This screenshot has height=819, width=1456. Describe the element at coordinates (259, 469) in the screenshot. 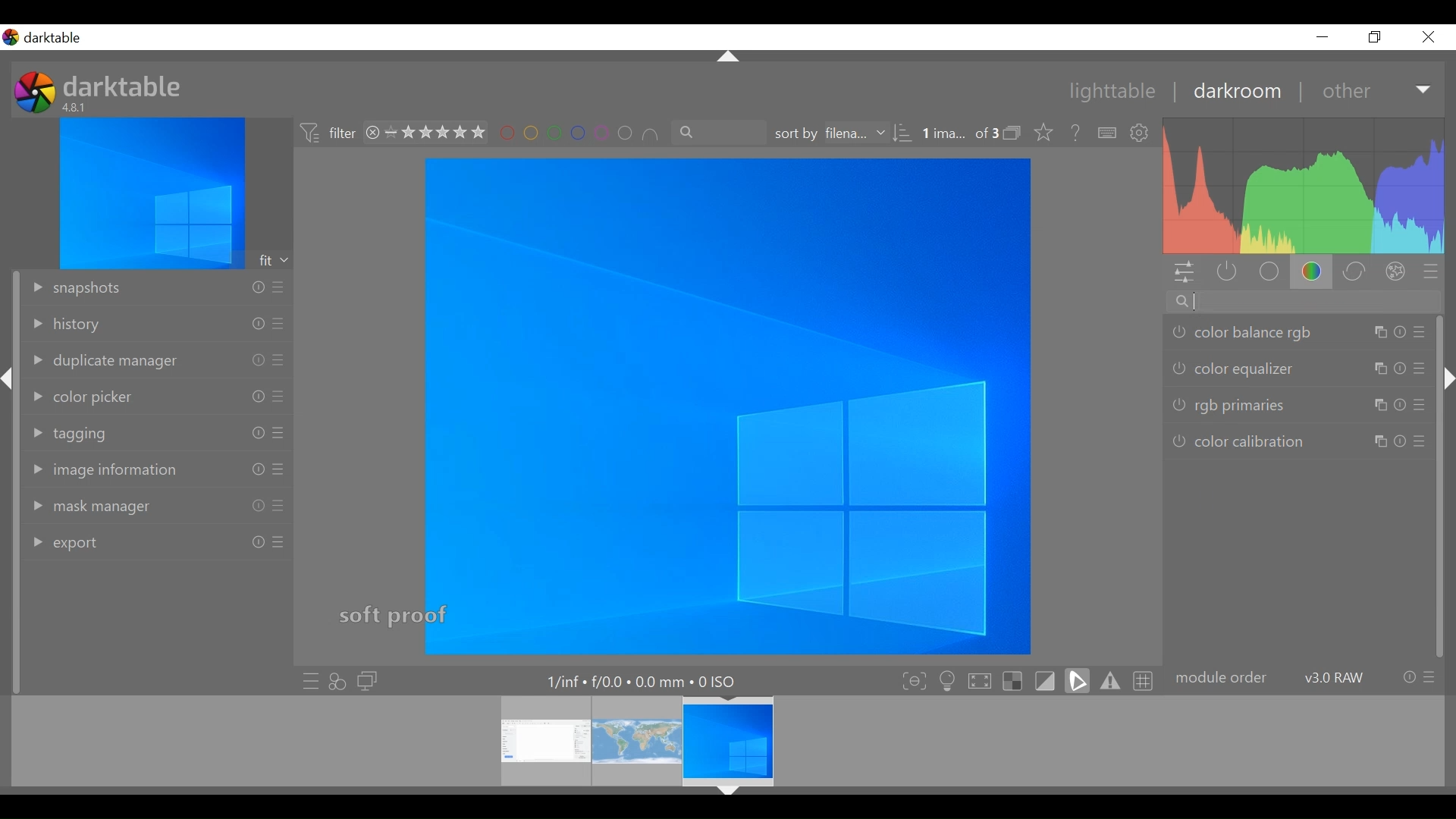

I see `info` at that location.